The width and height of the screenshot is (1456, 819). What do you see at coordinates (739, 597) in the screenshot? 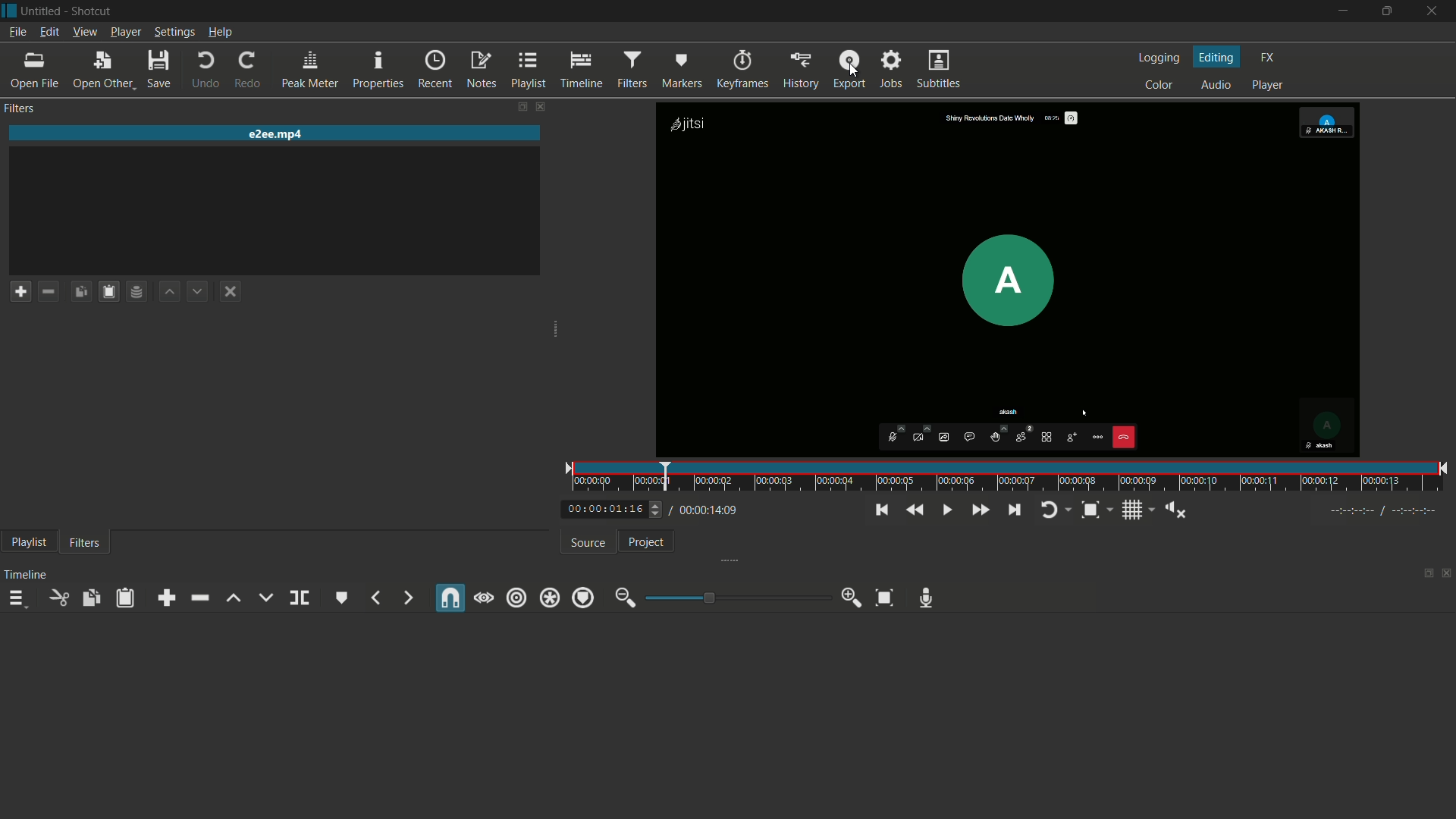
I see `adjustment bar` at bounding box center [739, 597].